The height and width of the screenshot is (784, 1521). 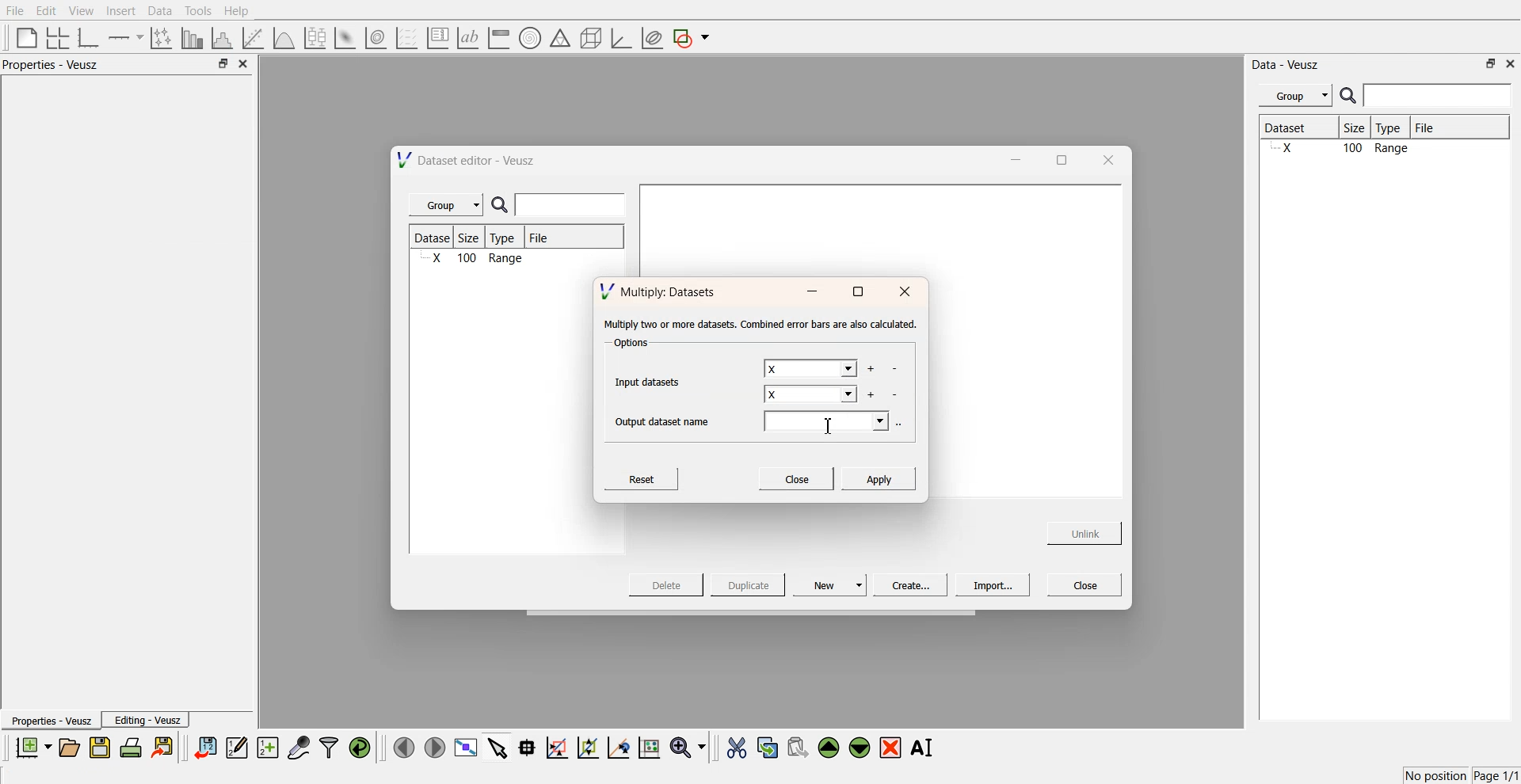 What do you see at coordinates (254, 36) in the screenshot?
I see `fit a function` at bounding box center [254, 36].